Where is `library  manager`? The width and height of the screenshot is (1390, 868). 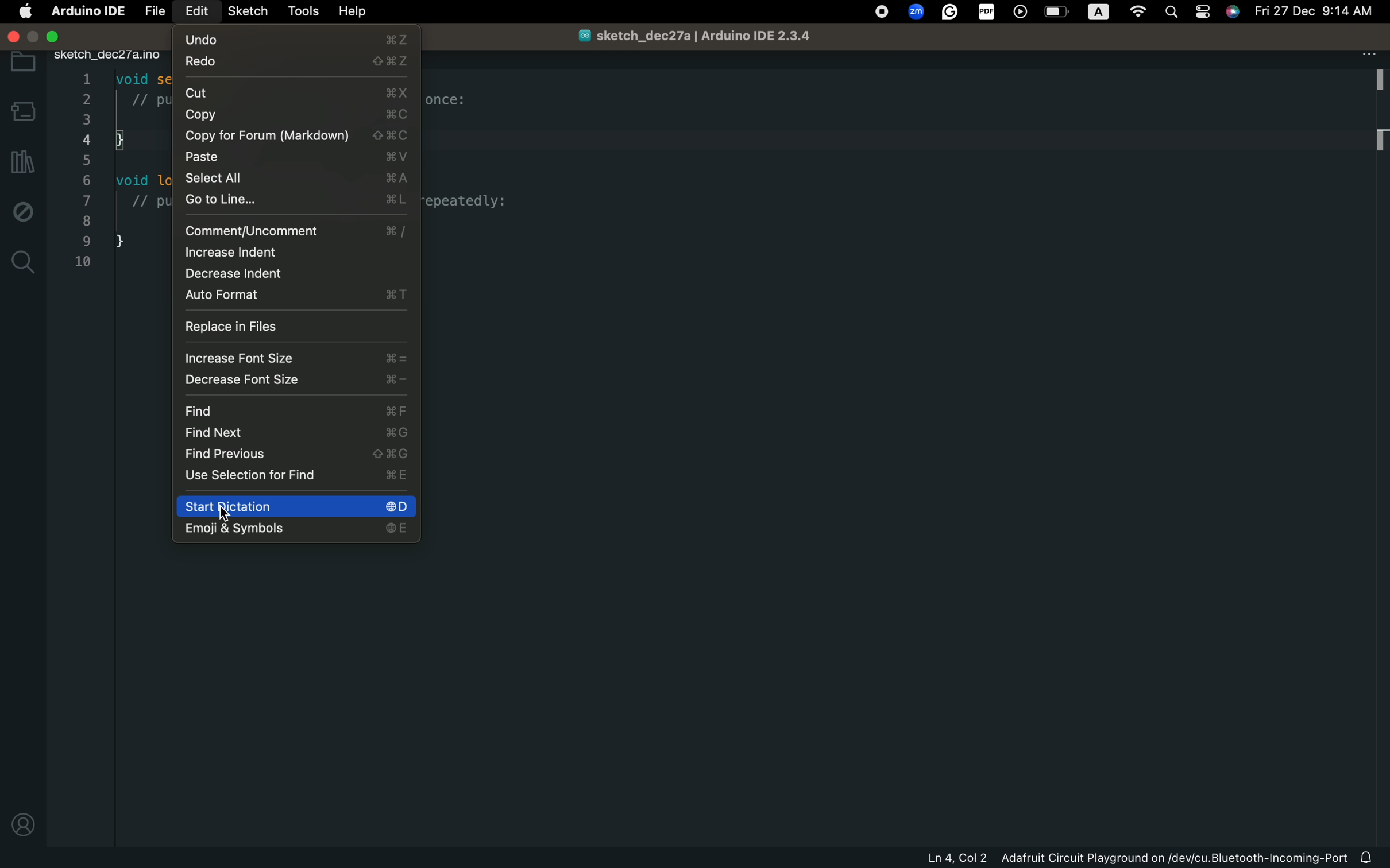
library  manager is located at coordinates (20, 161).